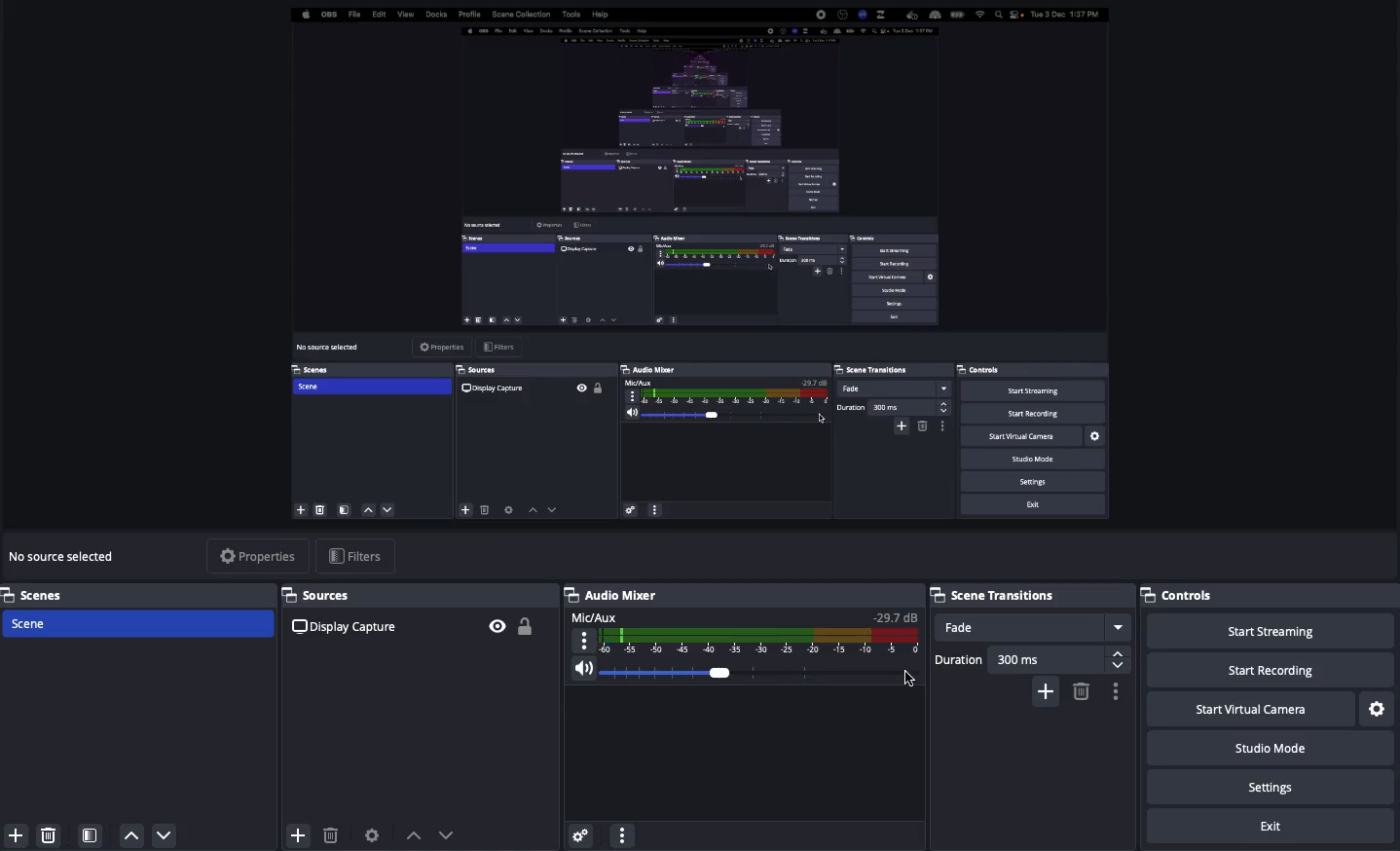  What do you see at coordinates (1271, 672) in the screenshot?
I see `Start recording` at bounding box center [1271, 672].